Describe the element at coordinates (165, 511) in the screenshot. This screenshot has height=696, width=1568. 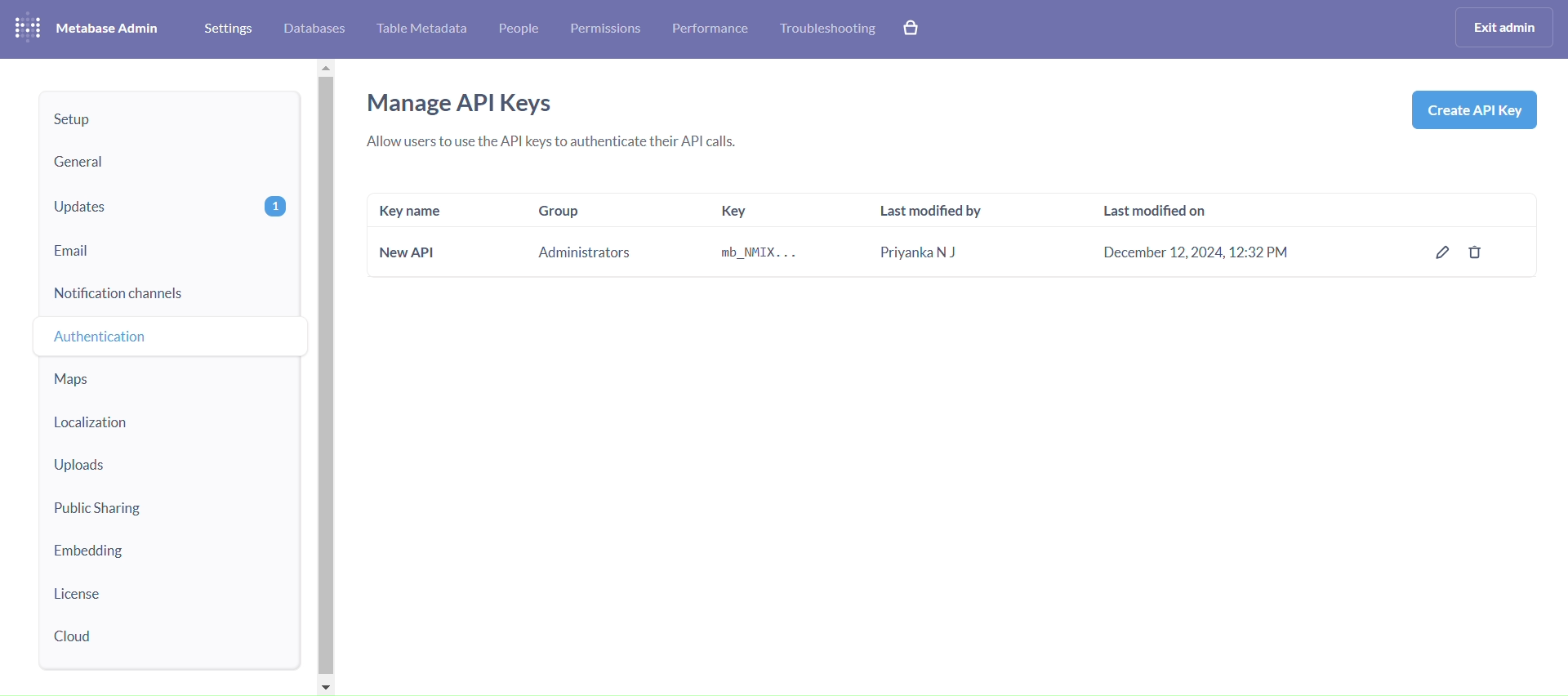
I see `public sharing` at that location.